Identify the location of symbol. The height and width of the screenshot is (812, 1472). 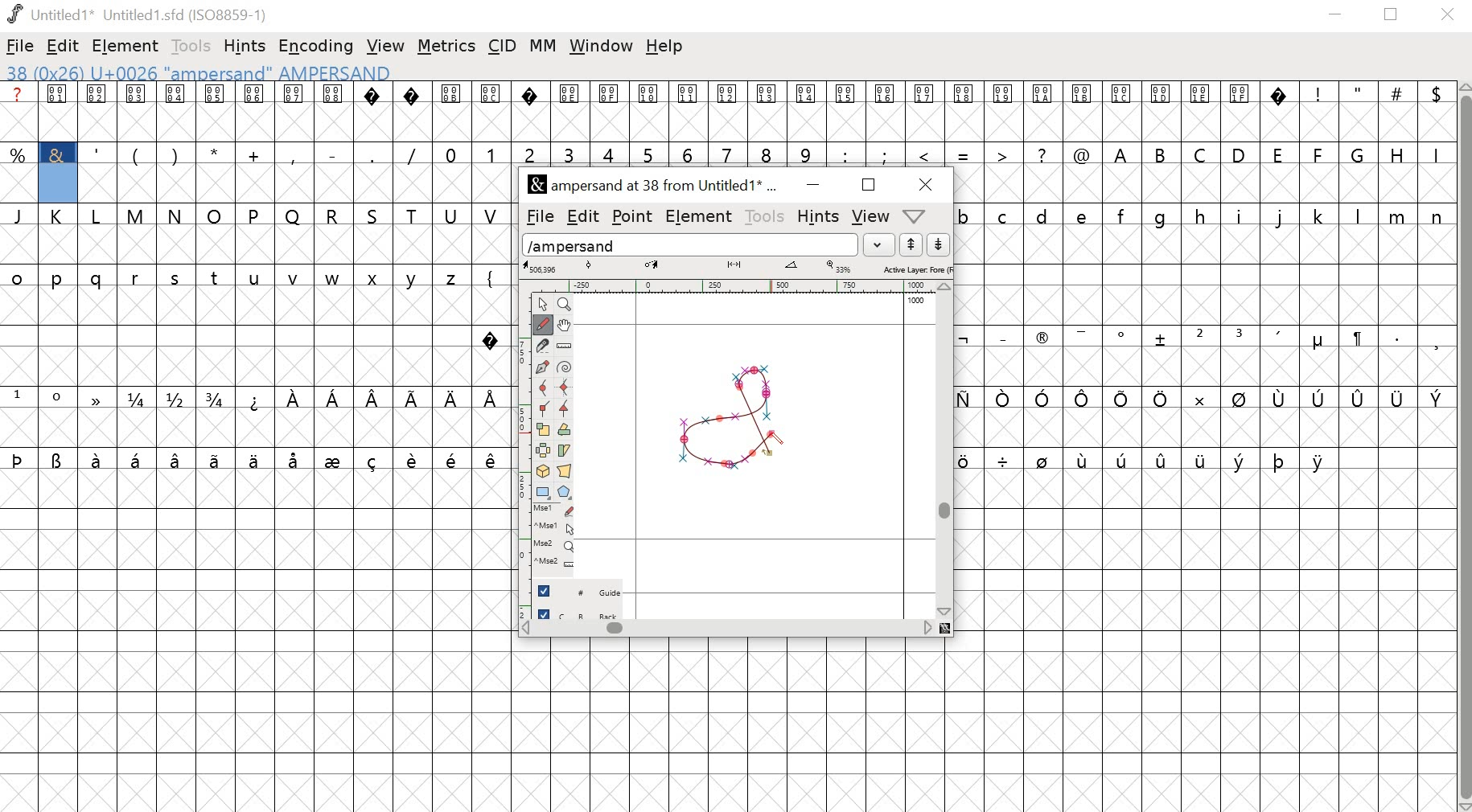
(1087, 399).